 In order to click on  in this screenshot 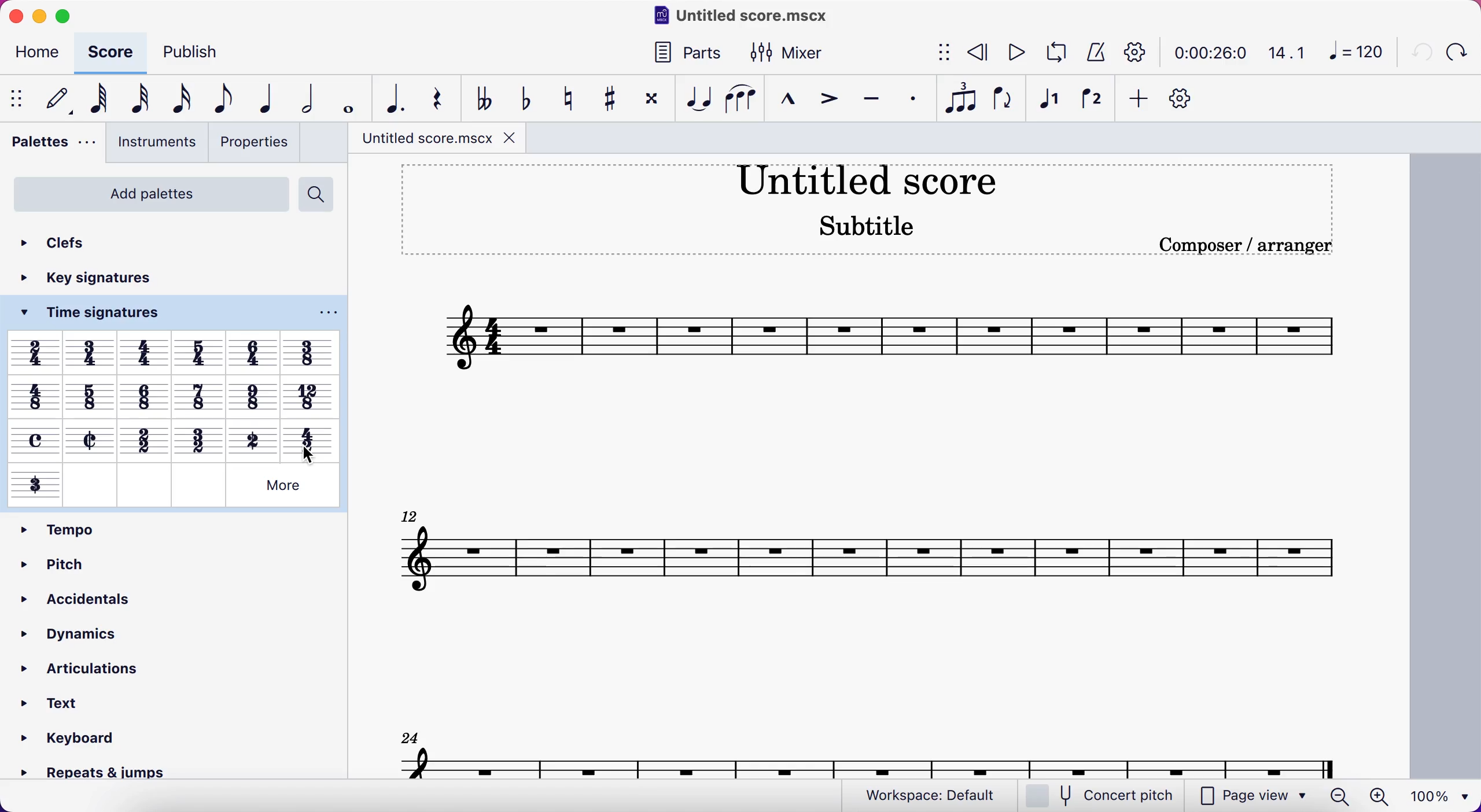, I will do `click(35, 440)`.